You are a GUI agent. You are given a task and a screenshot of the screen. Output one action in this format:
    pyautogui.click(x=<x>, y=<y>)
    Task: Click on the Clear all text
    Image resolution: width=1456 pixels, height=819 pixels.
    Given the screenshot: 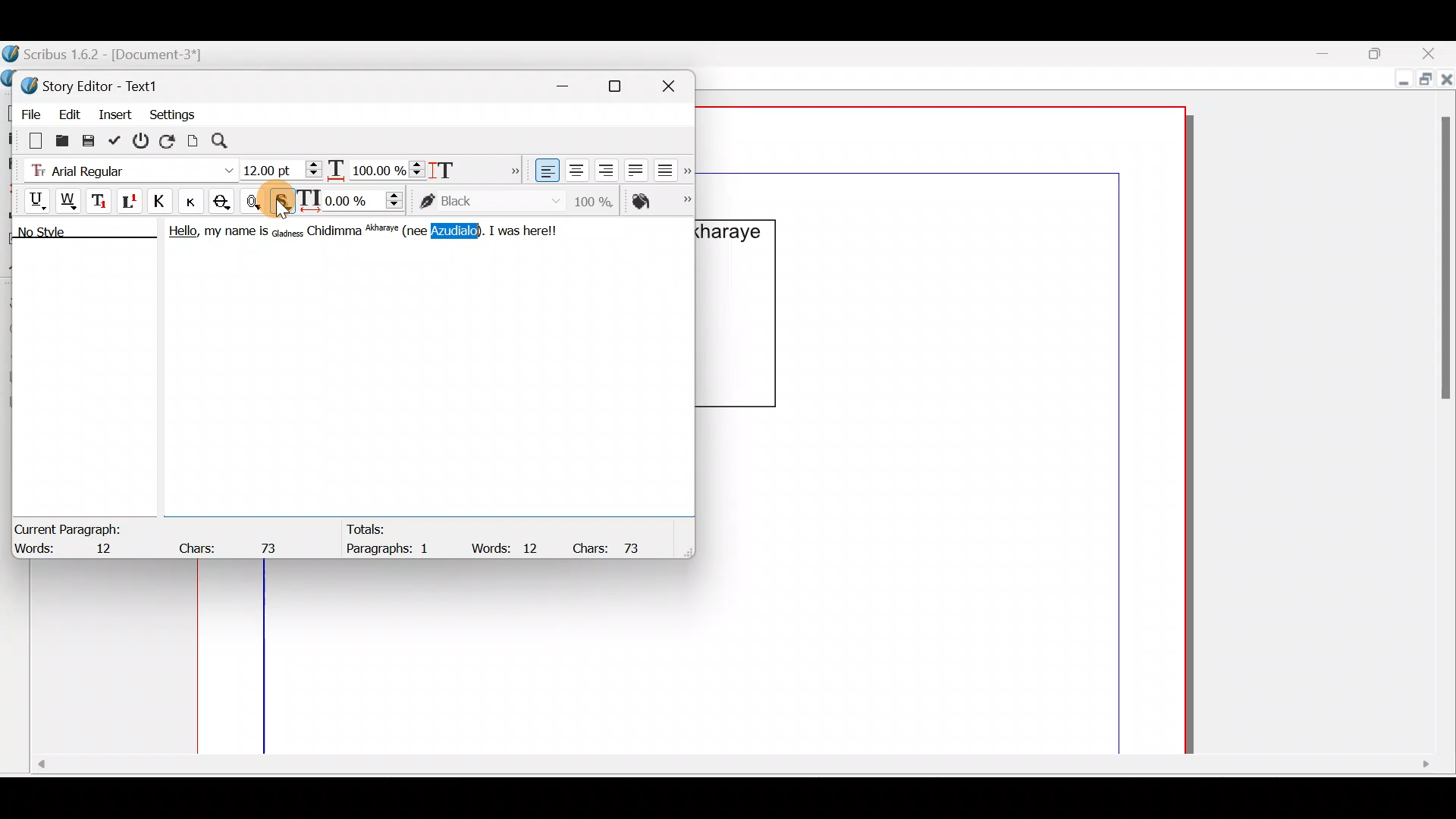 What is the action you would take?
    pyautogui.click(x=28, y=140)
    